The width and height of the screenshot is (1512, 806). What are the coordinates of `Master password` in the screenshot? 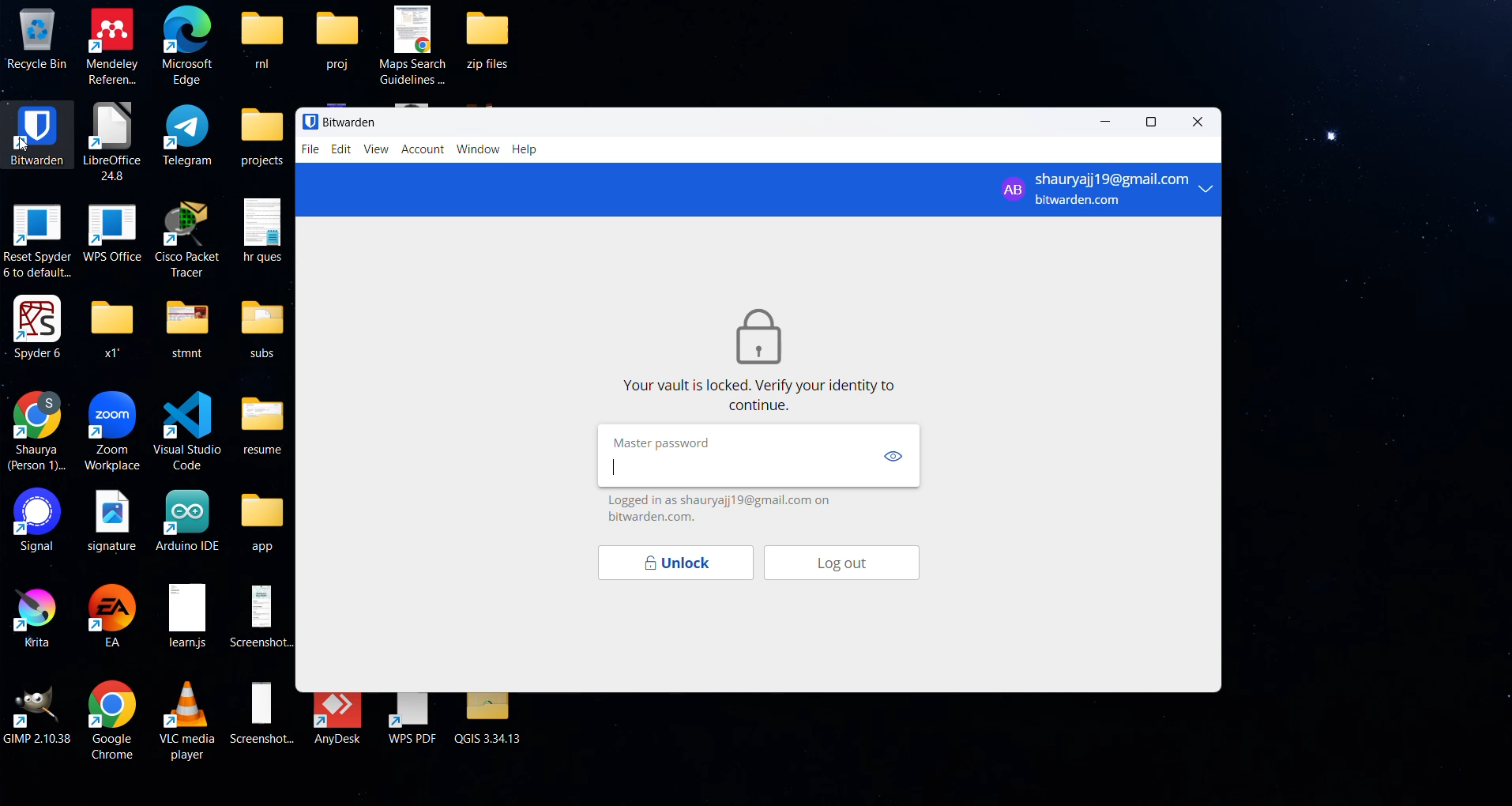 It's located at (667, 443).